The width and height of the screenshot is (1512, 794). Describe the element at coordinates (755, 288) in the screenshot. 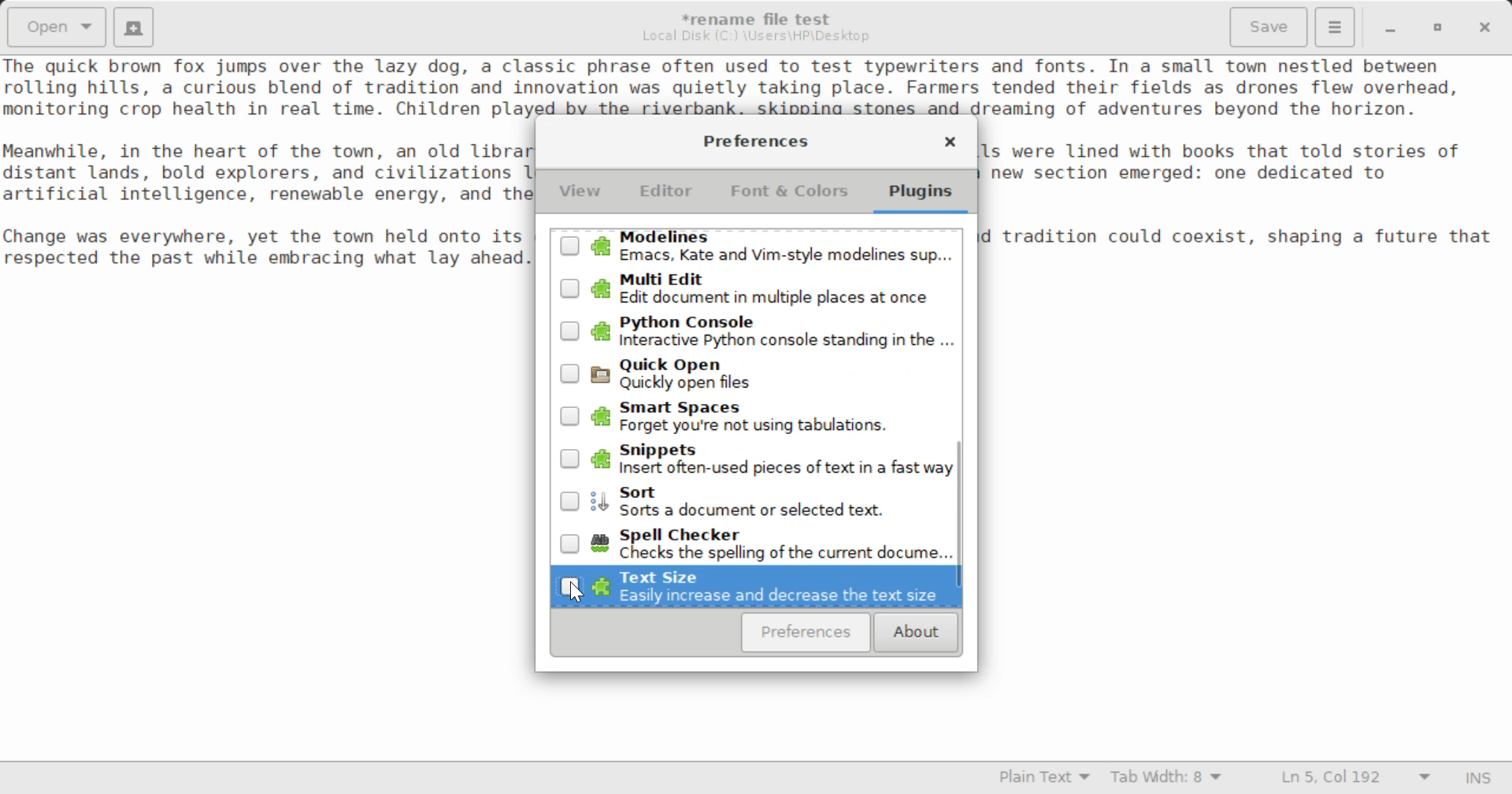

I see `Multi Edit Plugin Button Unselected` at that location.